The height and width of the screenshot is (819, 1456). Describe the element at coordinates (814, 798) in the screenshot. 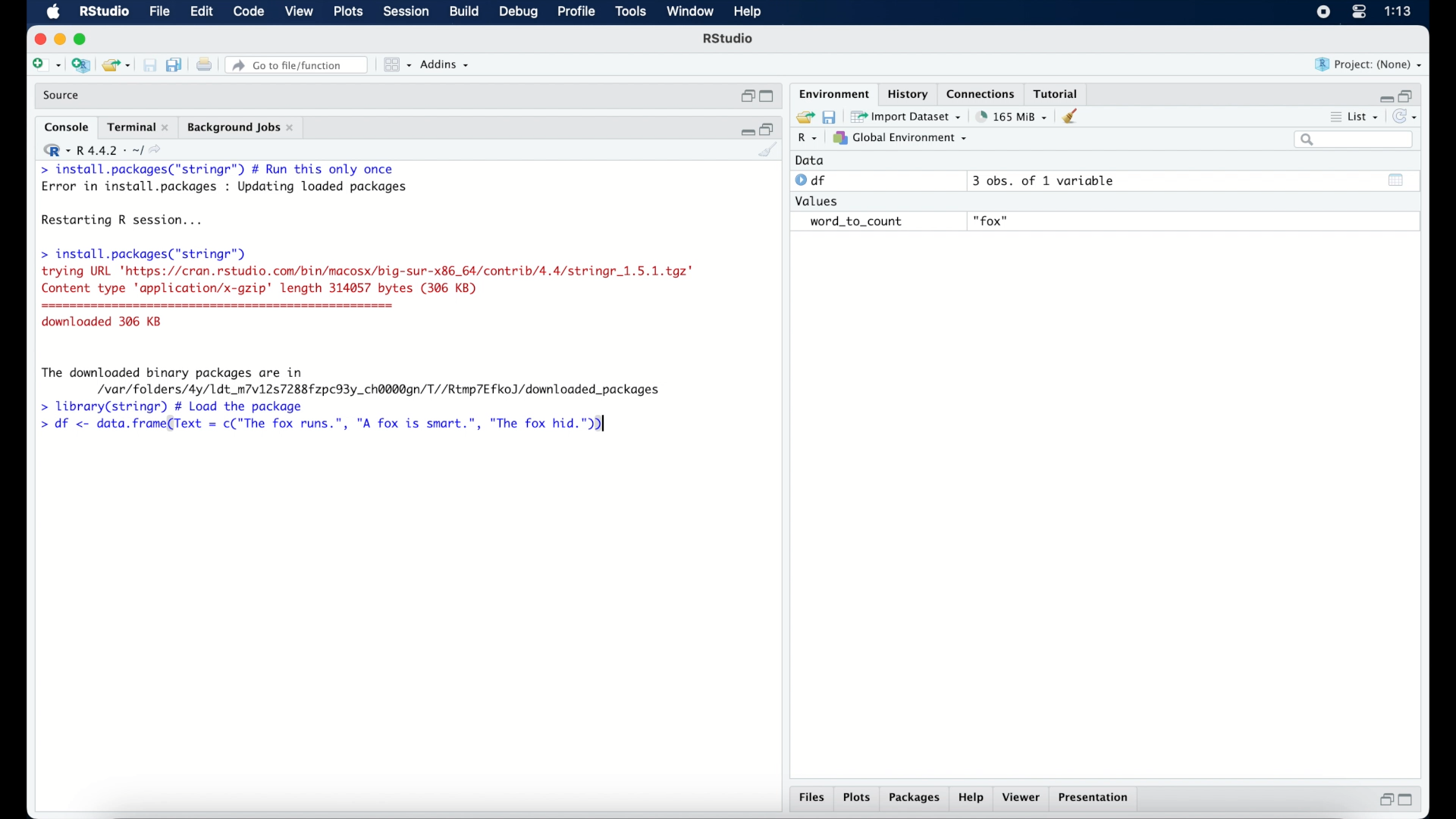

I see `files` at that location.